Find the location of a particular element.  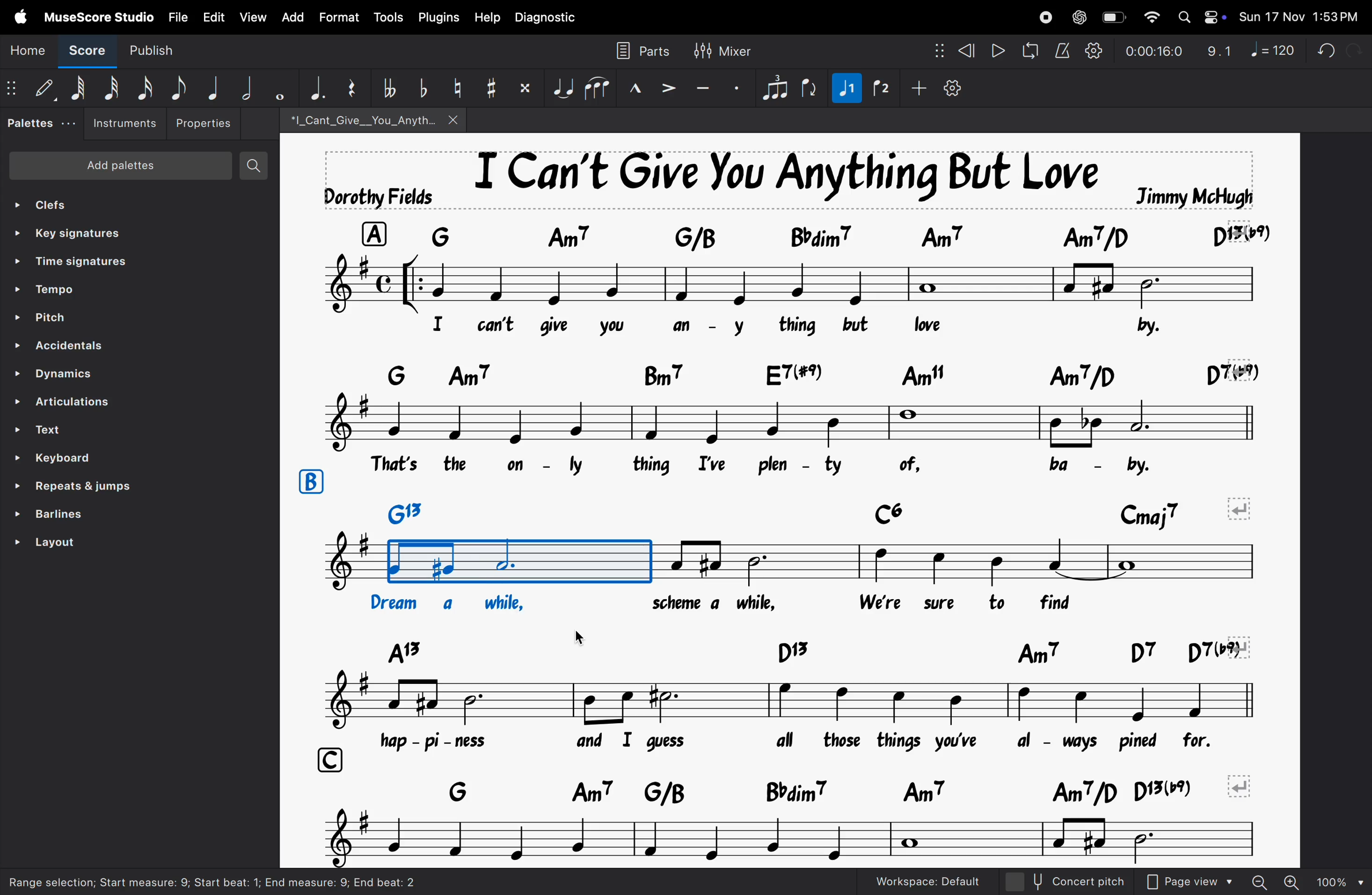

tuplet is located at coordinates (777, 86).